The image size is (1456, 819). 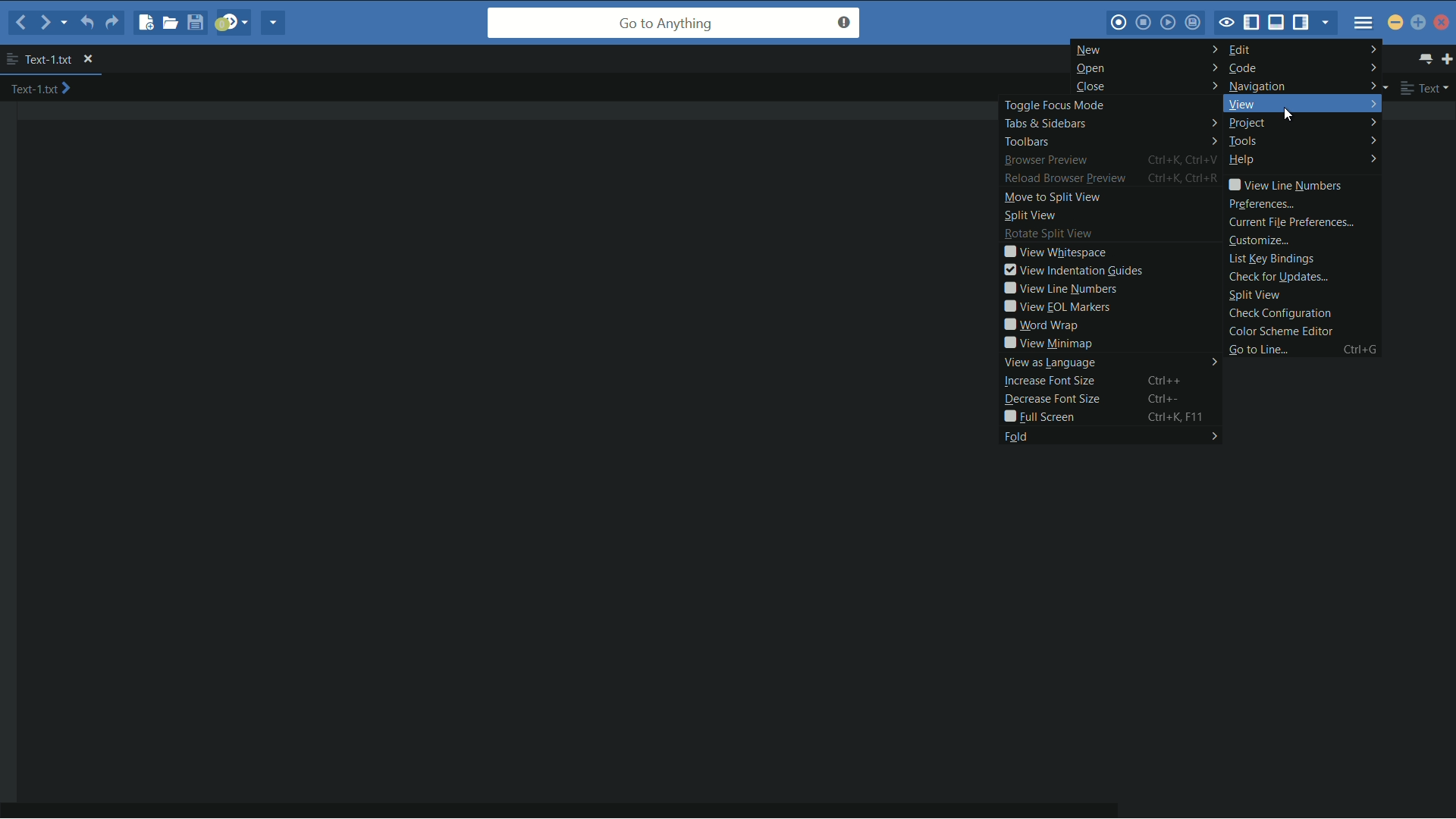 What do you see at coordinates (1172, 419) in the screenshot?
I see `Ctrl+K, F11` at bounding box center [1172, 419].